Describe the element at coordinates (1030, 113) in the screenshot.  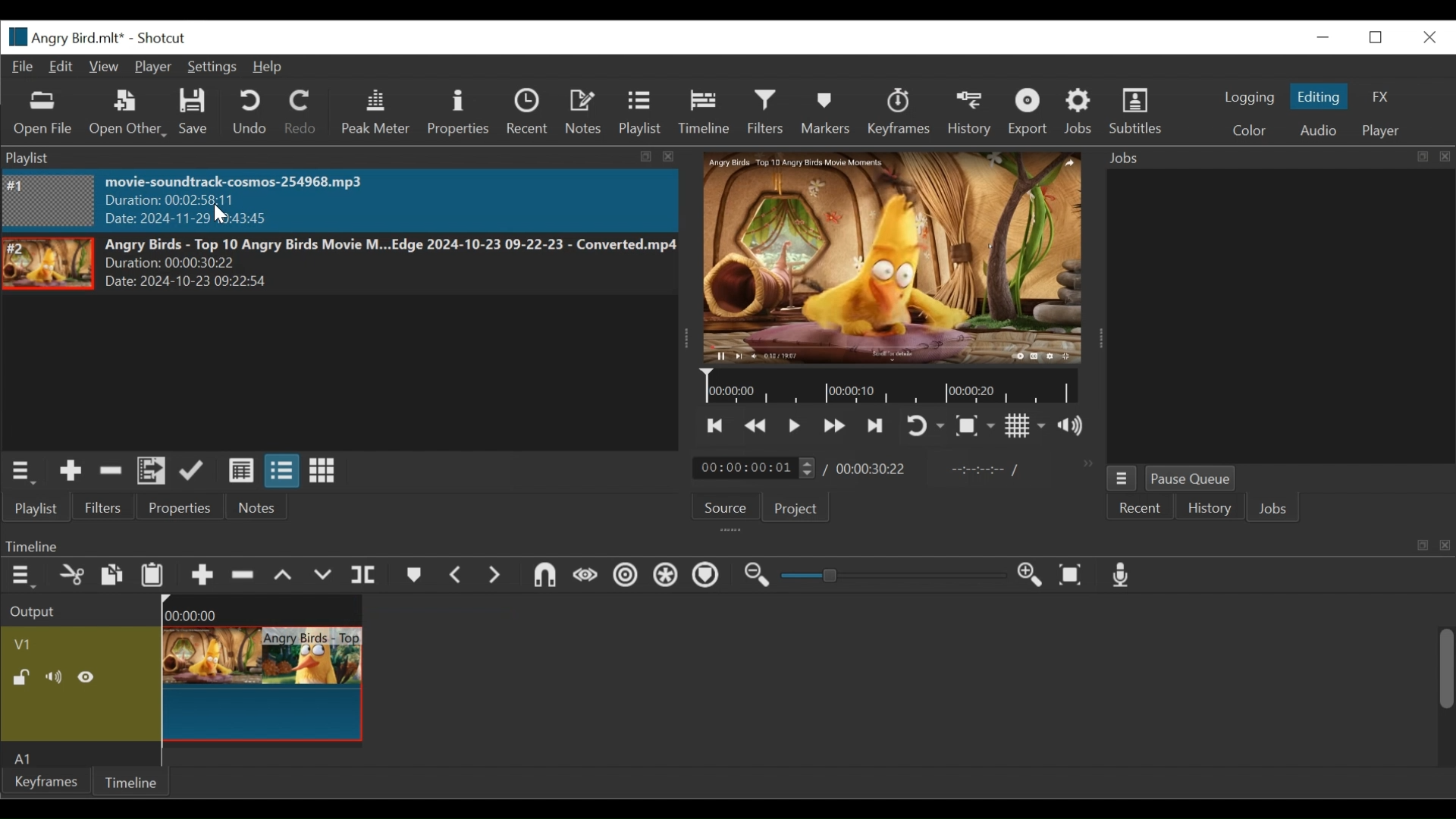
I see `Exort` at that location.